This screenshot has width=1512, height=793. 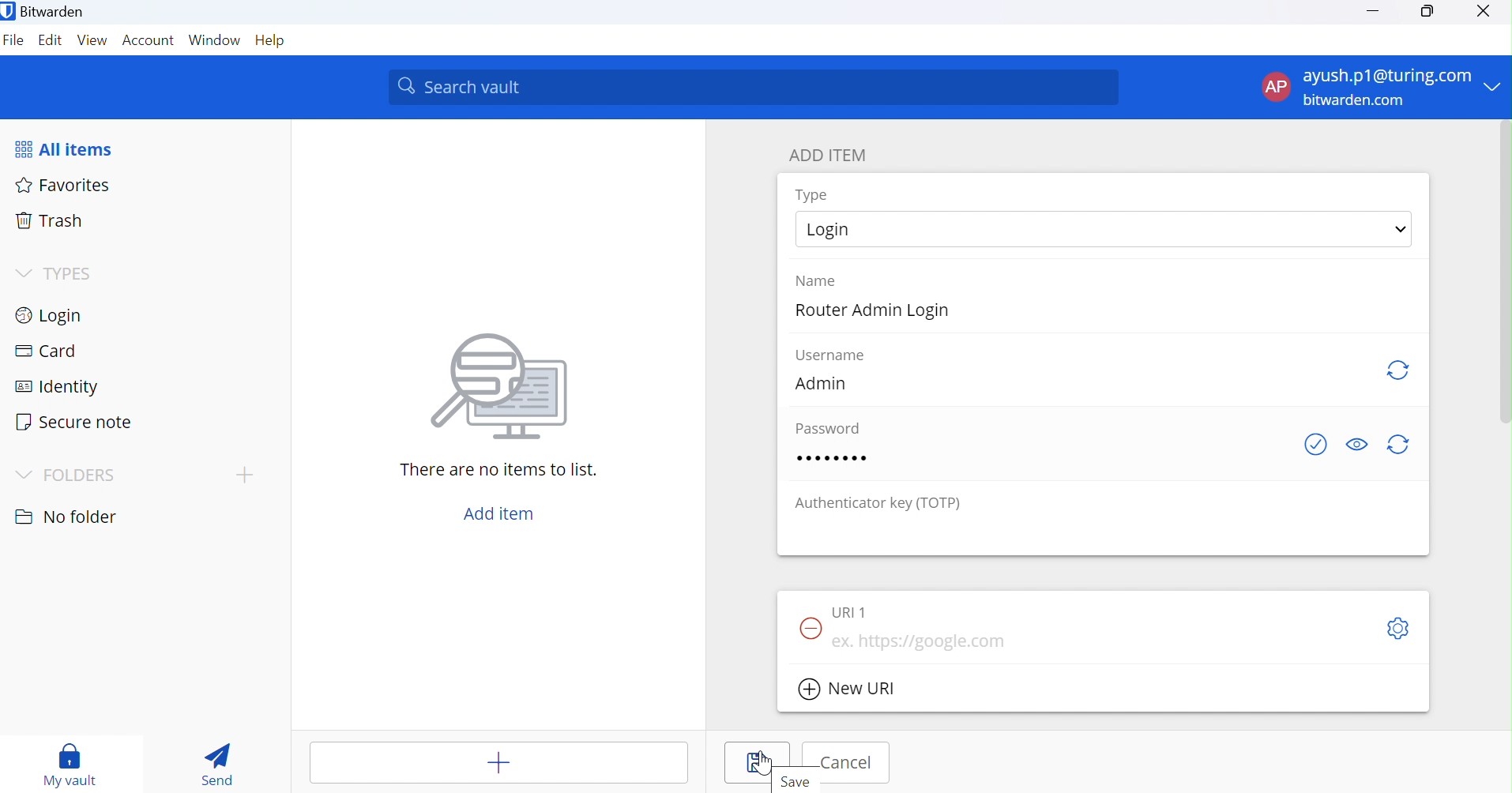 What do you see at coordinates (1104, 534) in the screenshot?
I see `add authenticator key (TOTP)` at bounding box center [1104, 534].